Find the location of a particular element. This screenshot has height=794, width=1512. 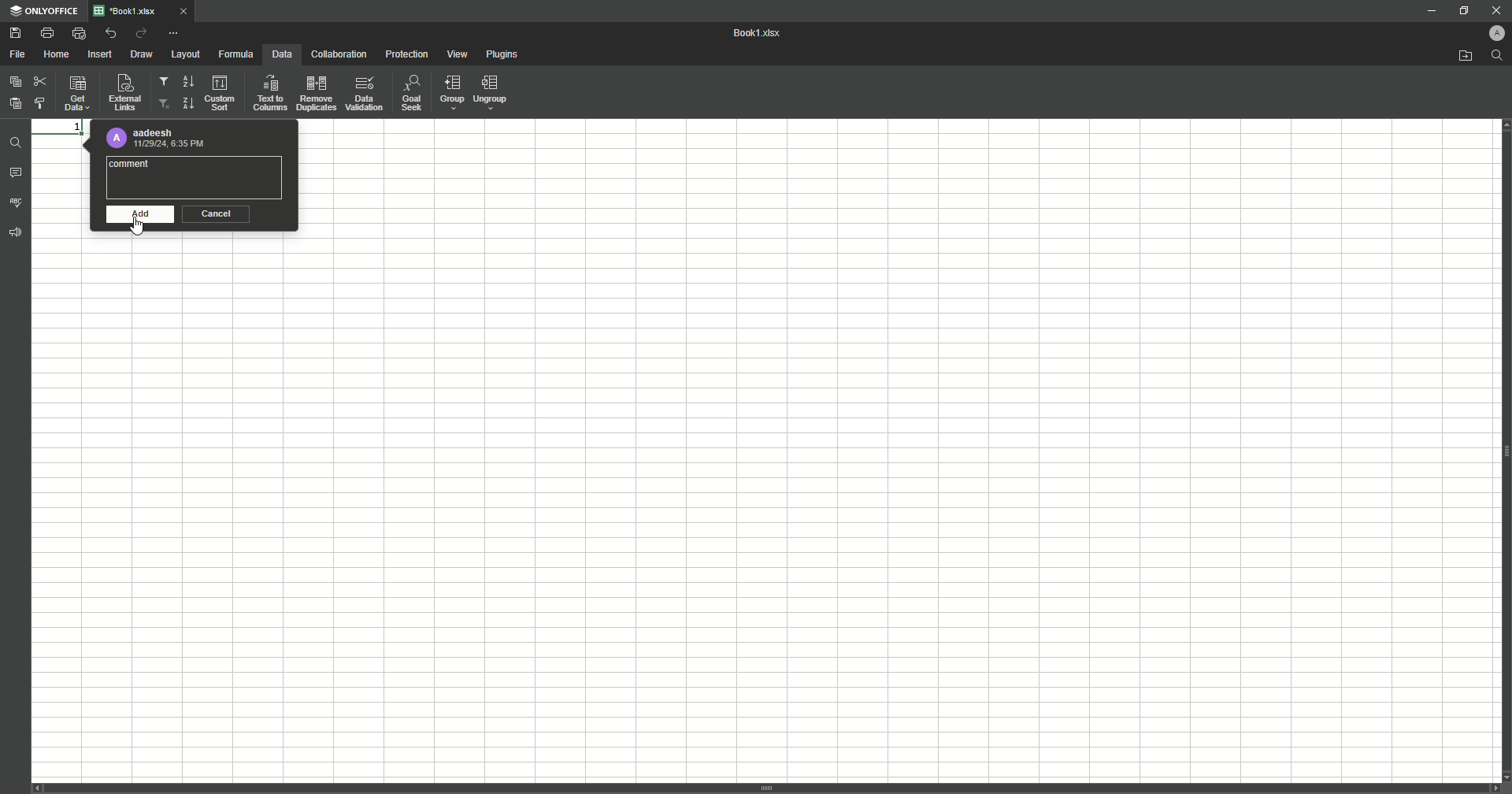

Cancel is located at coordinates (218, 215).